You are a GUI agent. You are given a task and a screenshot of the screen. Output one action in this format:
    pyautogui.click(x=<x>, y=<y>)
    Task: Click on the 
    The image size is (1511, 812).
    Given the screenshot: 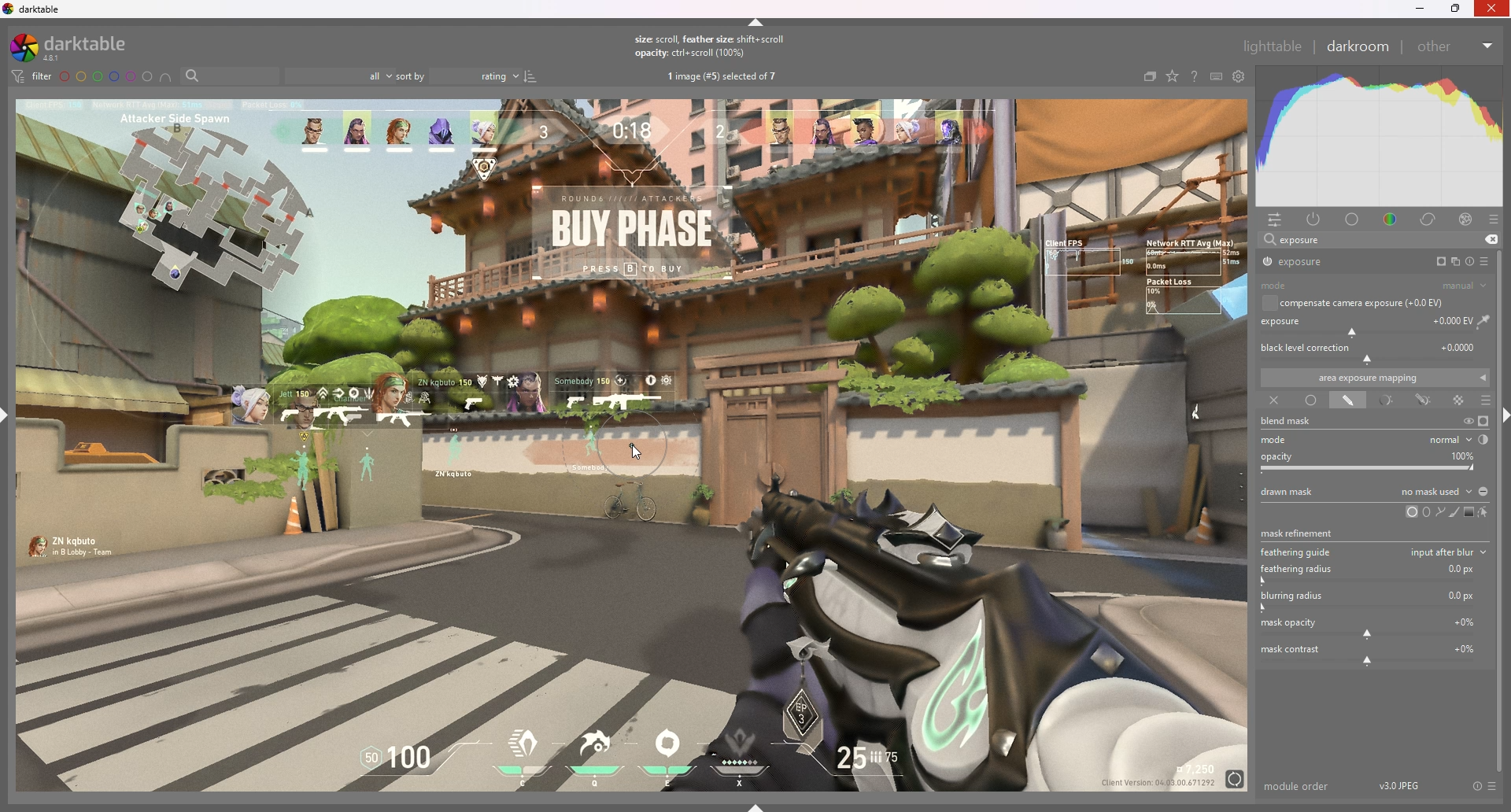 What is the action you would take?
    pyautogui.click(x=1493, y=9)
    